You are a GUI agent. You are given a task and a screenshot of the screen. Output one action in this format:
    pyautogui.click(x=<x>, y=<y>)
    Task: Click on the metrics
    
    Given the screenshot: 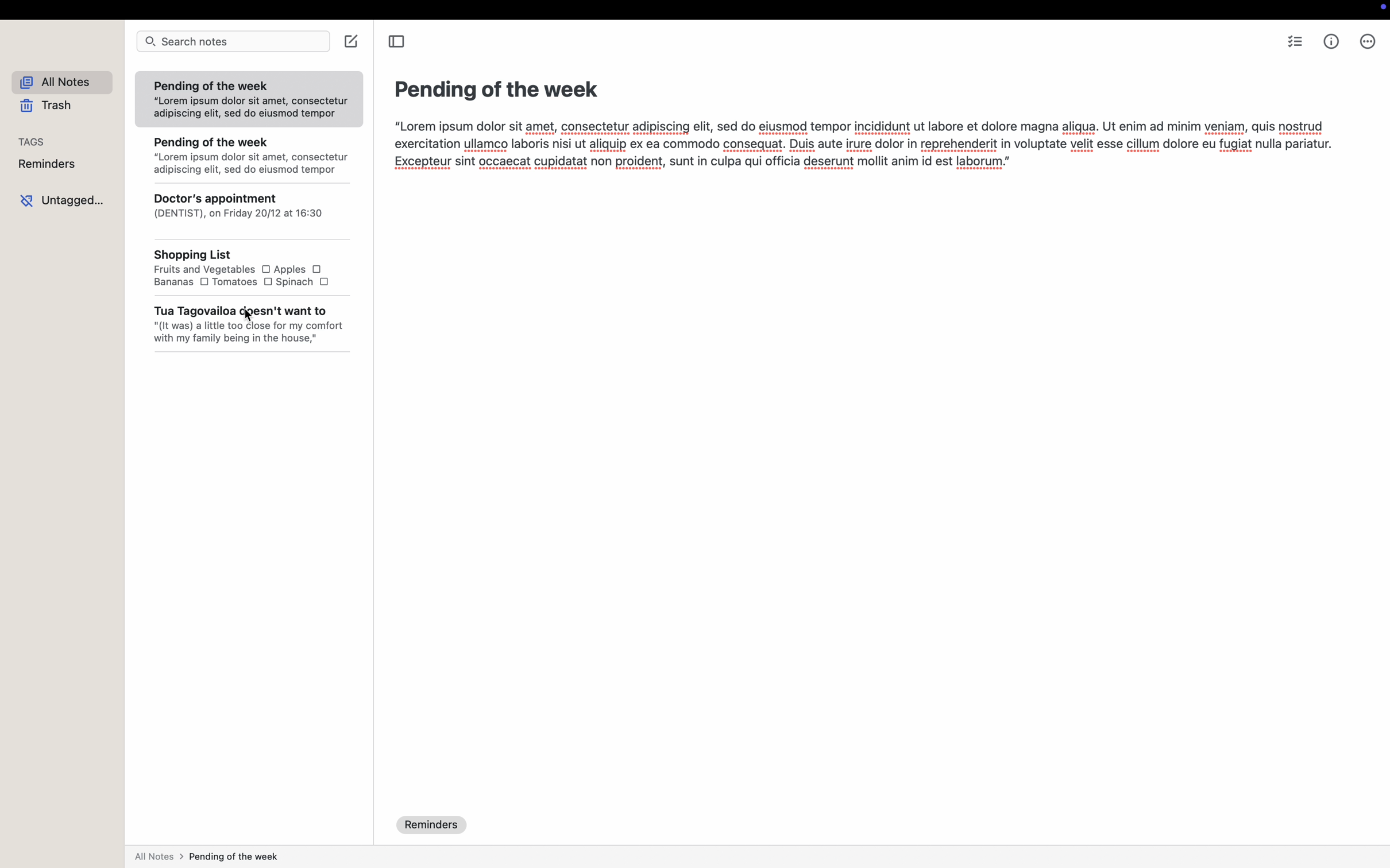 What is the action you would take?
    pyautogui.click(x=1333, y=42)
    